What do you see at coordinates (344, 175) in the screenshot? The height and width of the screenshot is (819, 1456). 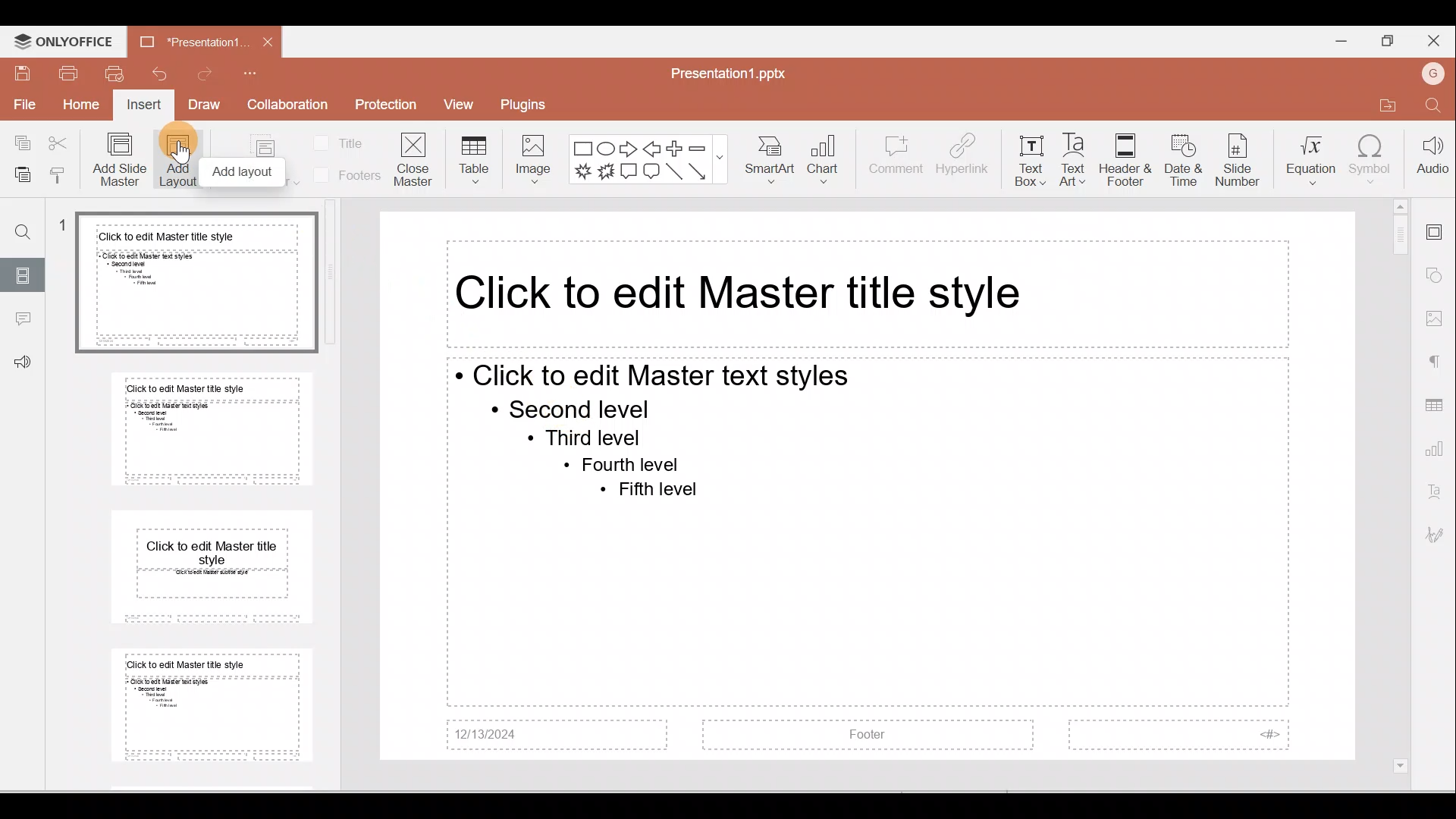 I see `Footers` at bounding box center [344, 175].